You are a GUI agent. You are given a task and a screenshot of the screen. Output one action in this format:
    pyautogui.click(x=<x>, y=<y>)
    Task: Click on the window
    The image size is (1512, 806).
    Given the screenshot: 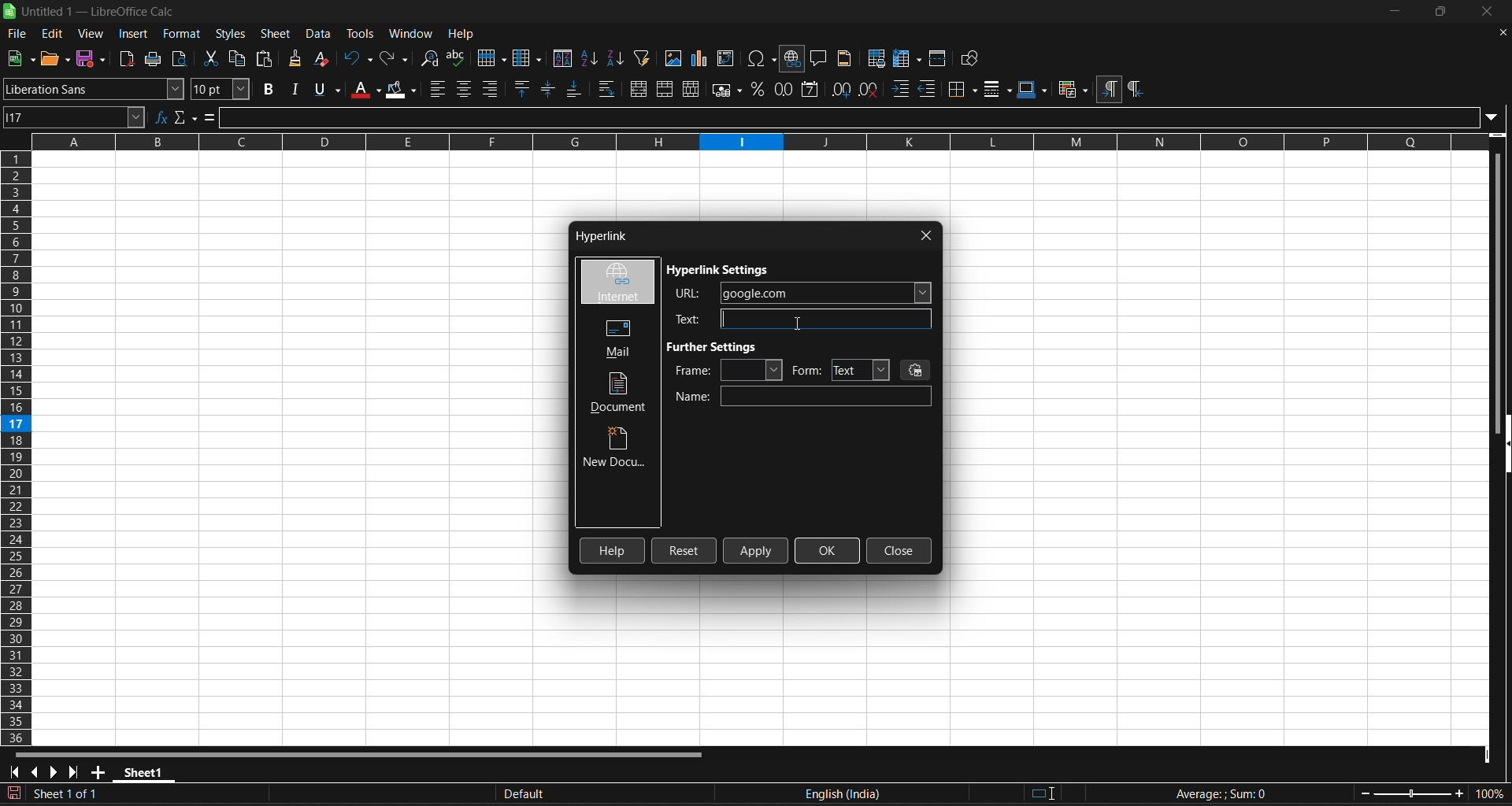 What is the action you would take?
    pyautogui.click(x=413, y=31)
    